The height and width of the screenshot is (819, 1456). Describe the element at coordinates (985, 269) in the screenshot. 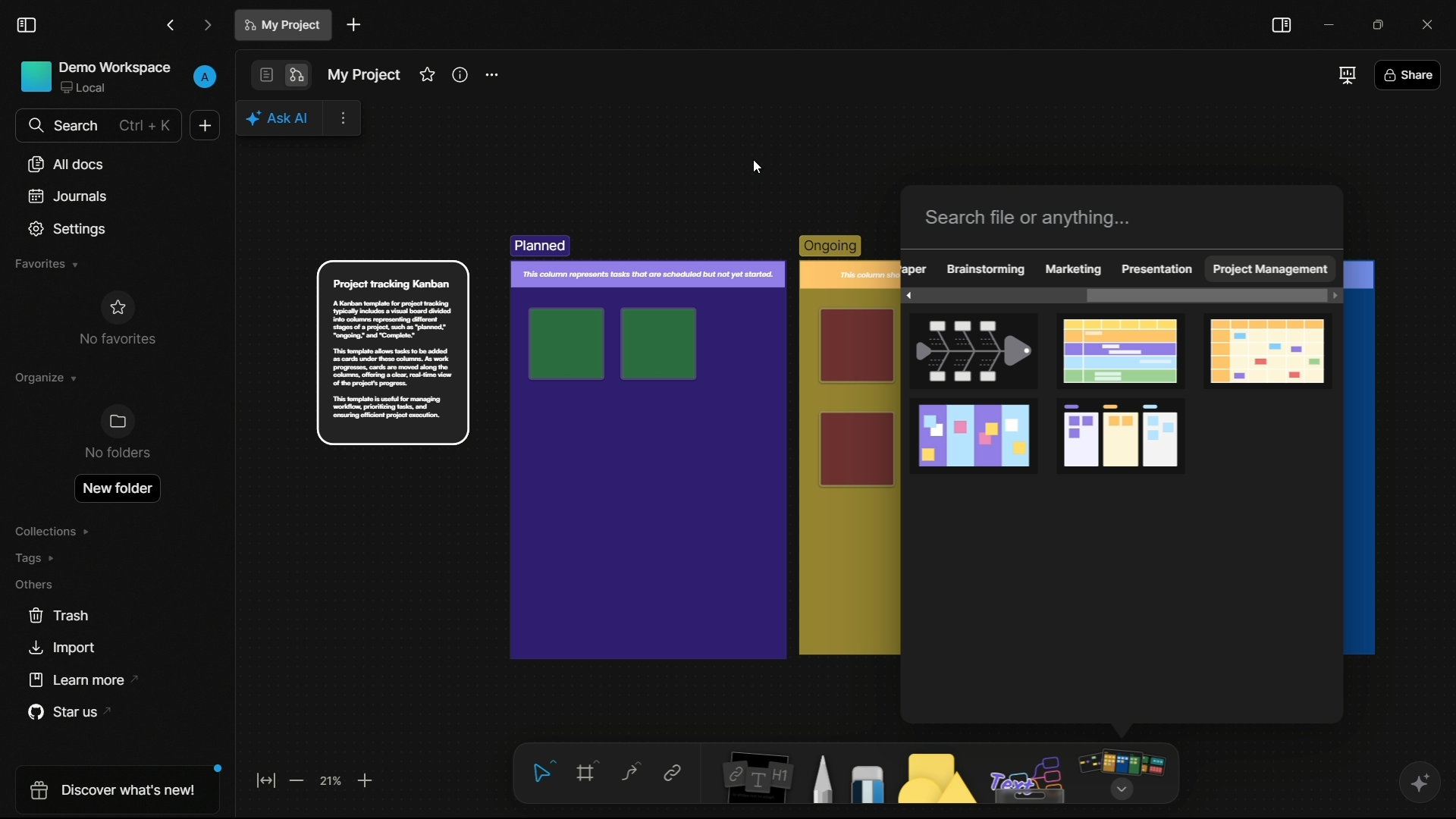

I see `brainstorming` at that location.